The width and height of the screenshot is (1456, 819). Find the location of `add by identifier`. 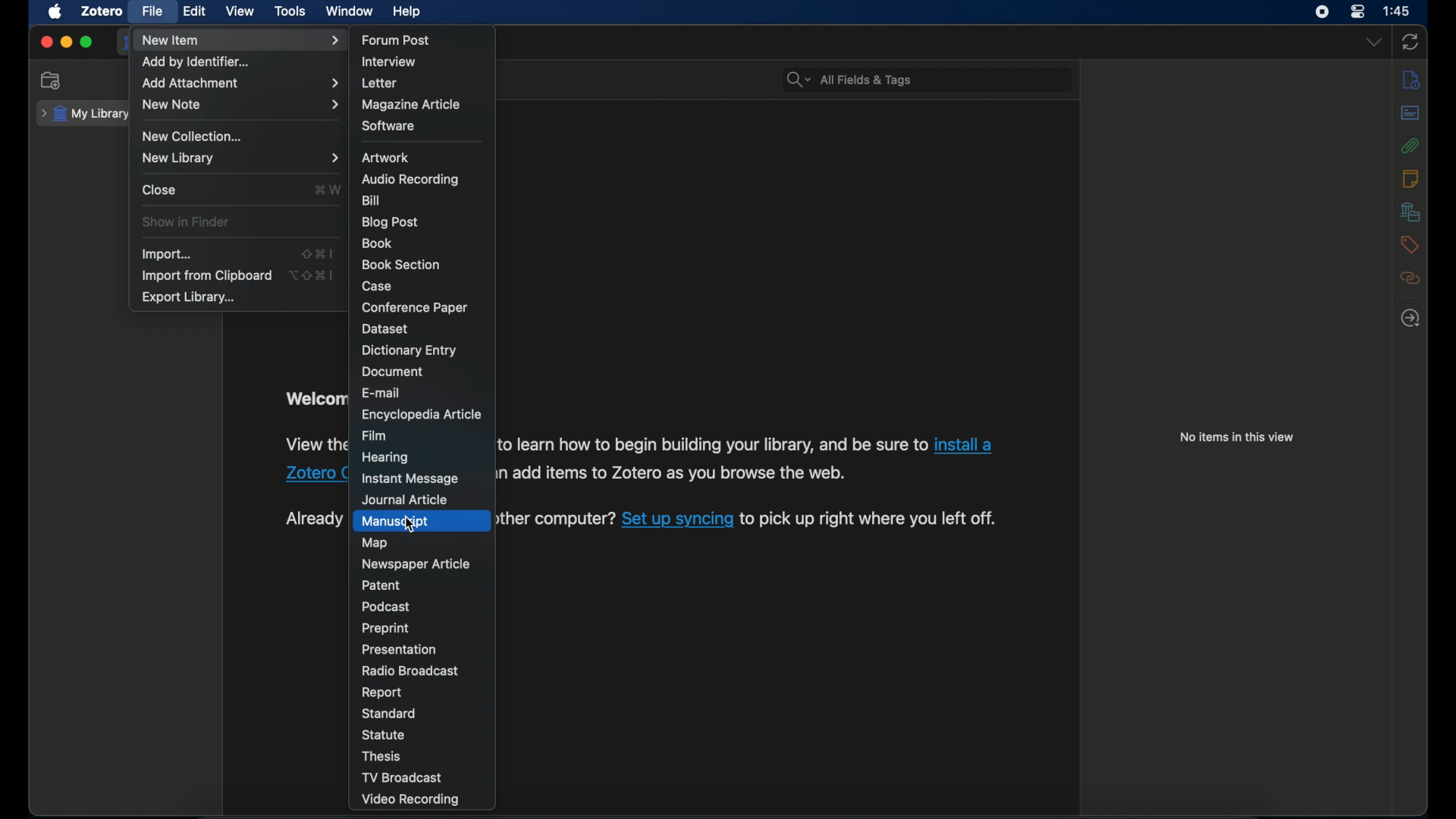

add by identifier is located at coordinates (196, 62).